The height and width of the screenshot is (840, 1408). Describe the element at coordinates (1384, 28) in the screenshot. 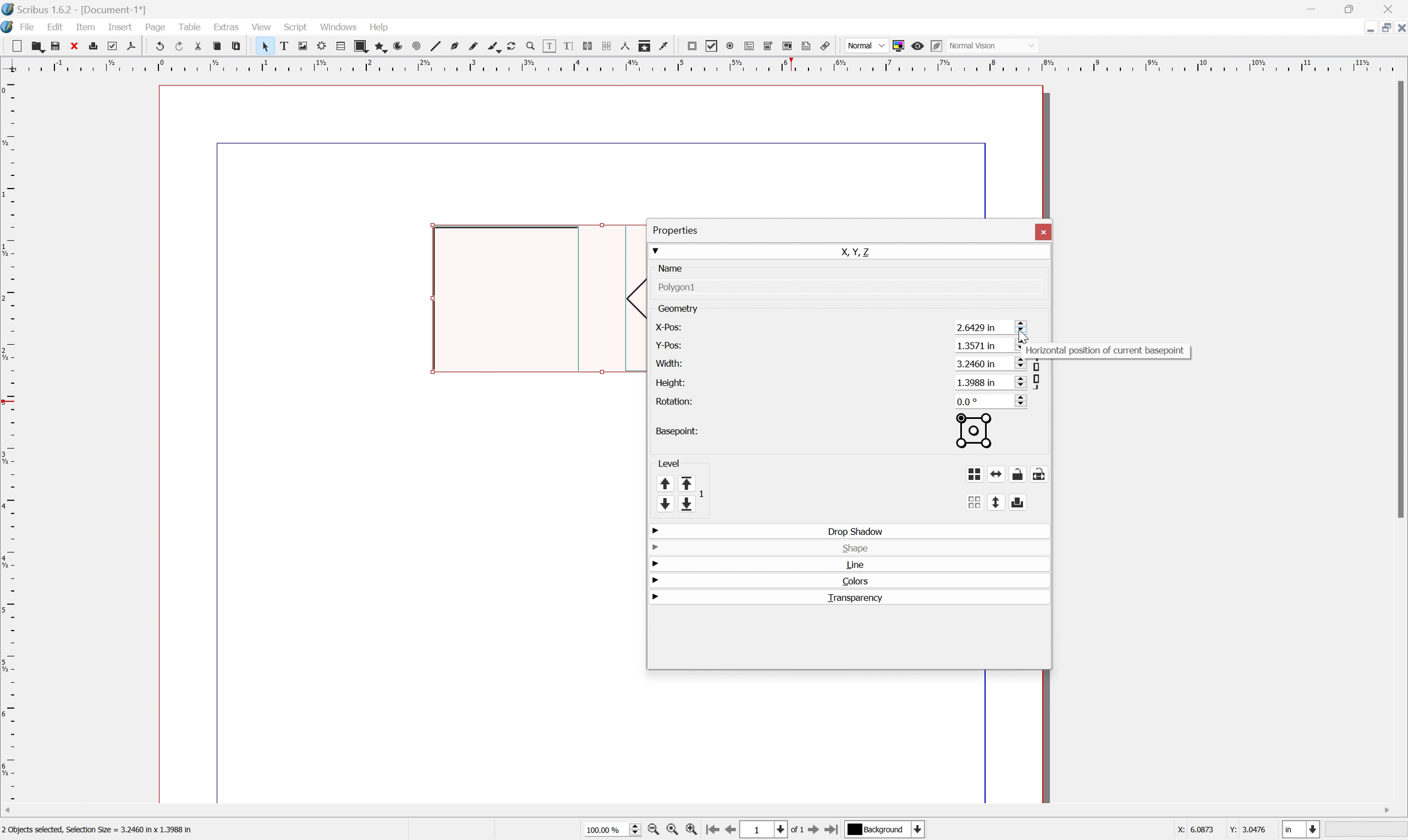

I see `Restore down` at that location.